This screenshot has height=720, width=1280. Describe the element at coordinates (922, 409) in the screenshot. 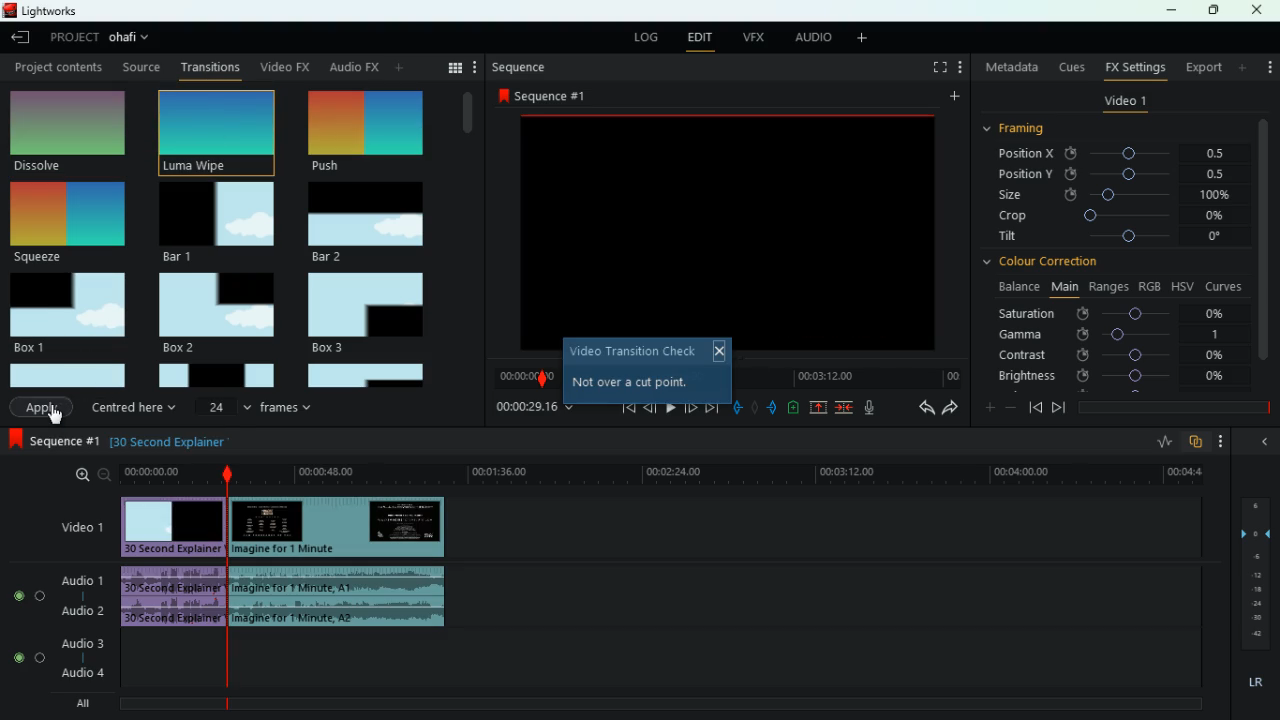

I see `back` at that location.